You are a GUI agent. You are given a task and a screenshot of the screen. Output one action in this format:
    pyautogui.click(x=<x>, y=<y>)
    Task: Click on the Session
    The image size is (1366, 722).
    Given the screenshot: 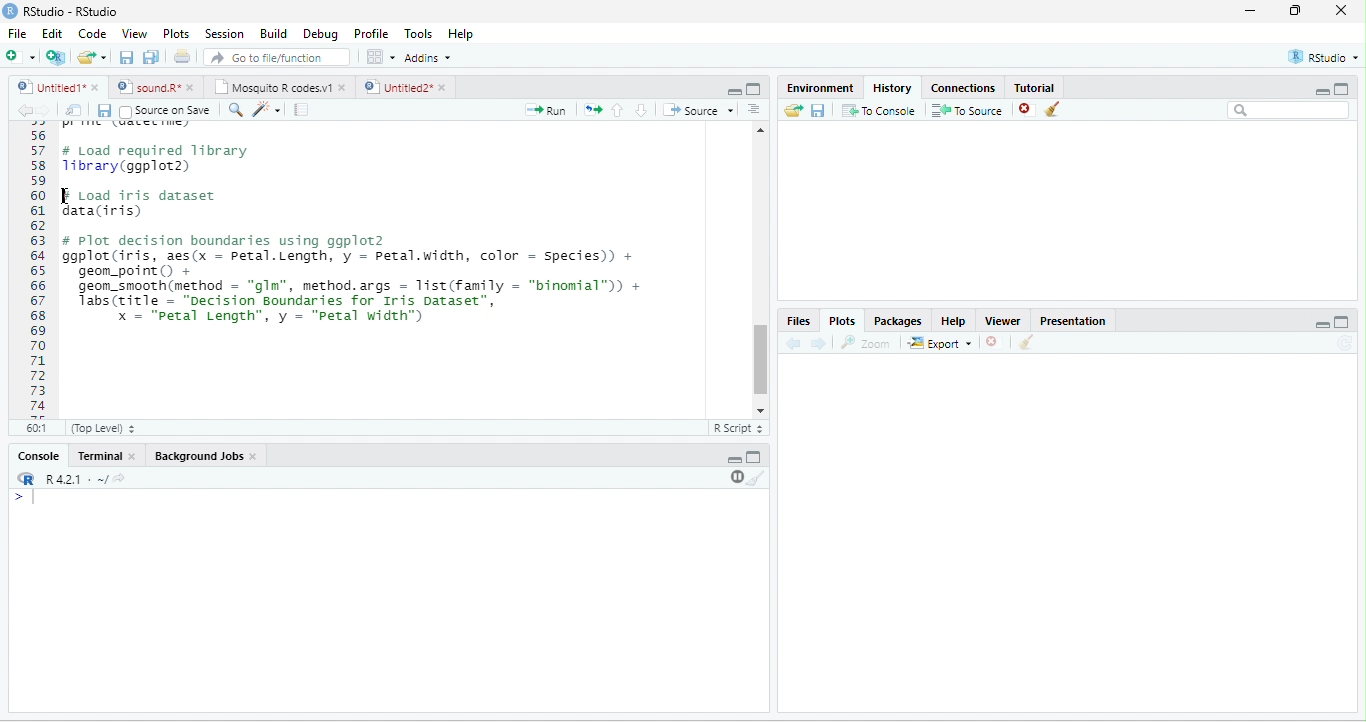 What is the action you would take?
    pyautogui.click(x=226, y=35)
    